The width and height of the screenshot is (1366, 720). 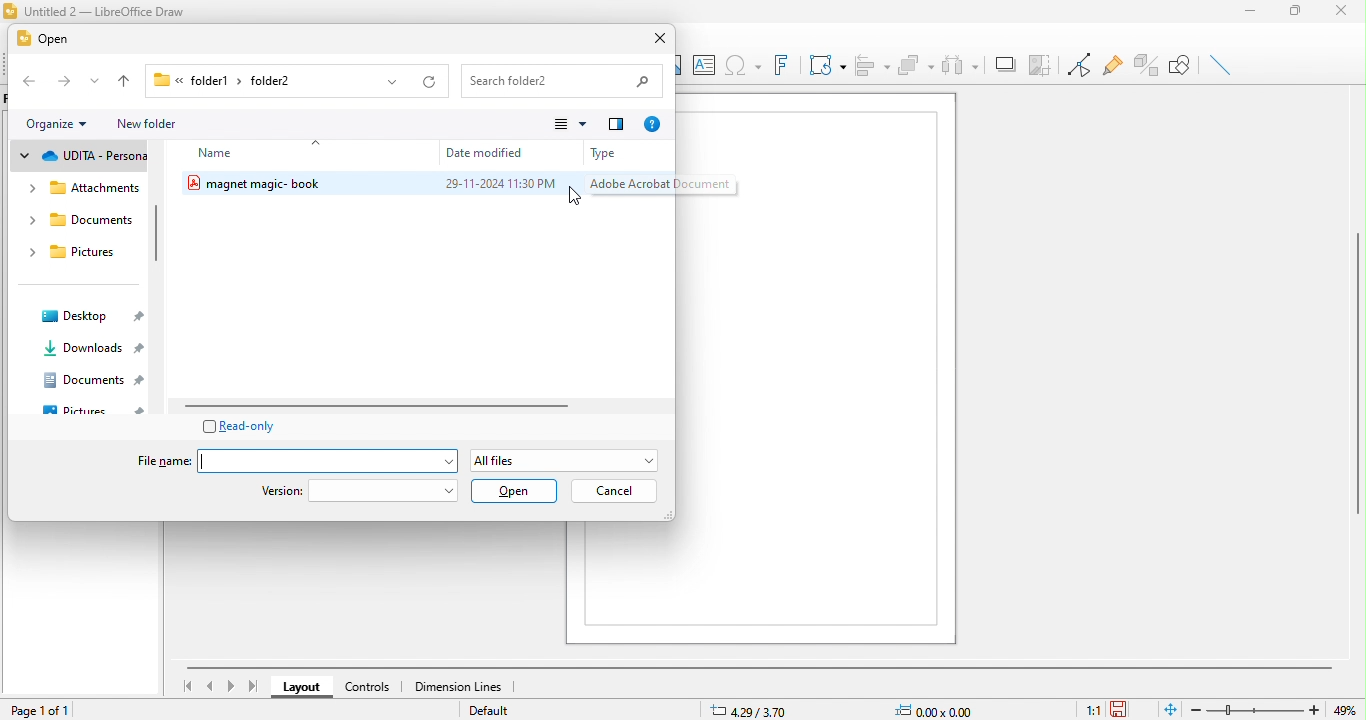 I want to click on Page1, so click(x=814, y=367).